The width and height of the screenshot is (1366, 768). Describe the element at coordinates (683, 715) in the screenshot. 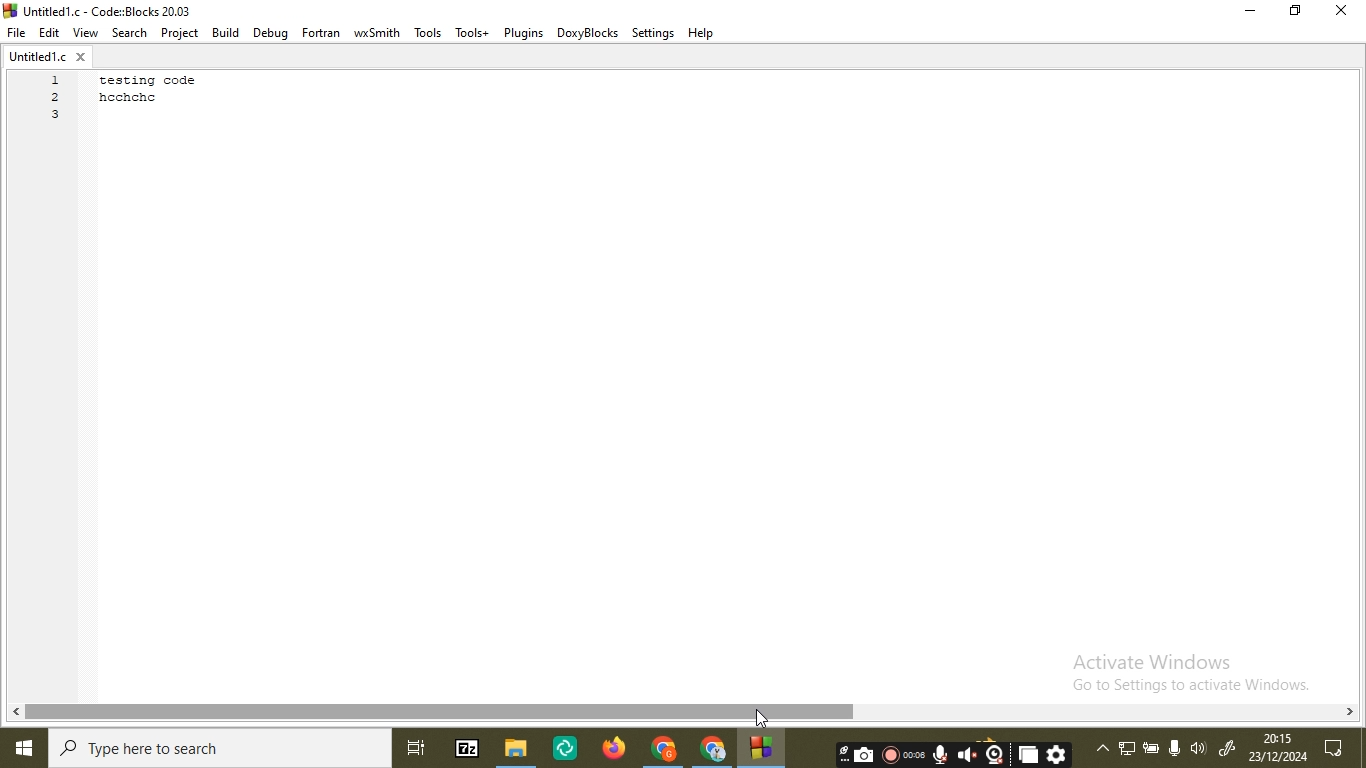

I see `scroll bar` at that location.